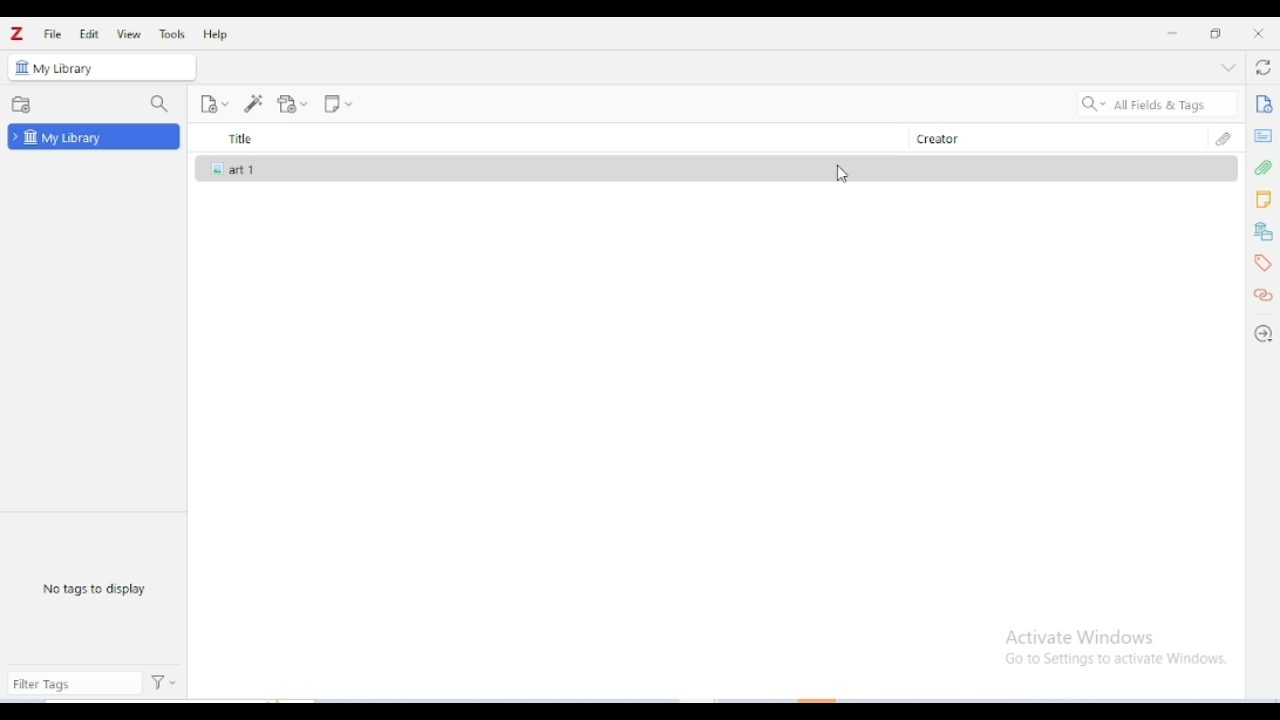 The height and width of the screenshot is (720, 1280). Describe the element at coordinates (1264, 169) in the screenshot. I see `attachments` at that location.